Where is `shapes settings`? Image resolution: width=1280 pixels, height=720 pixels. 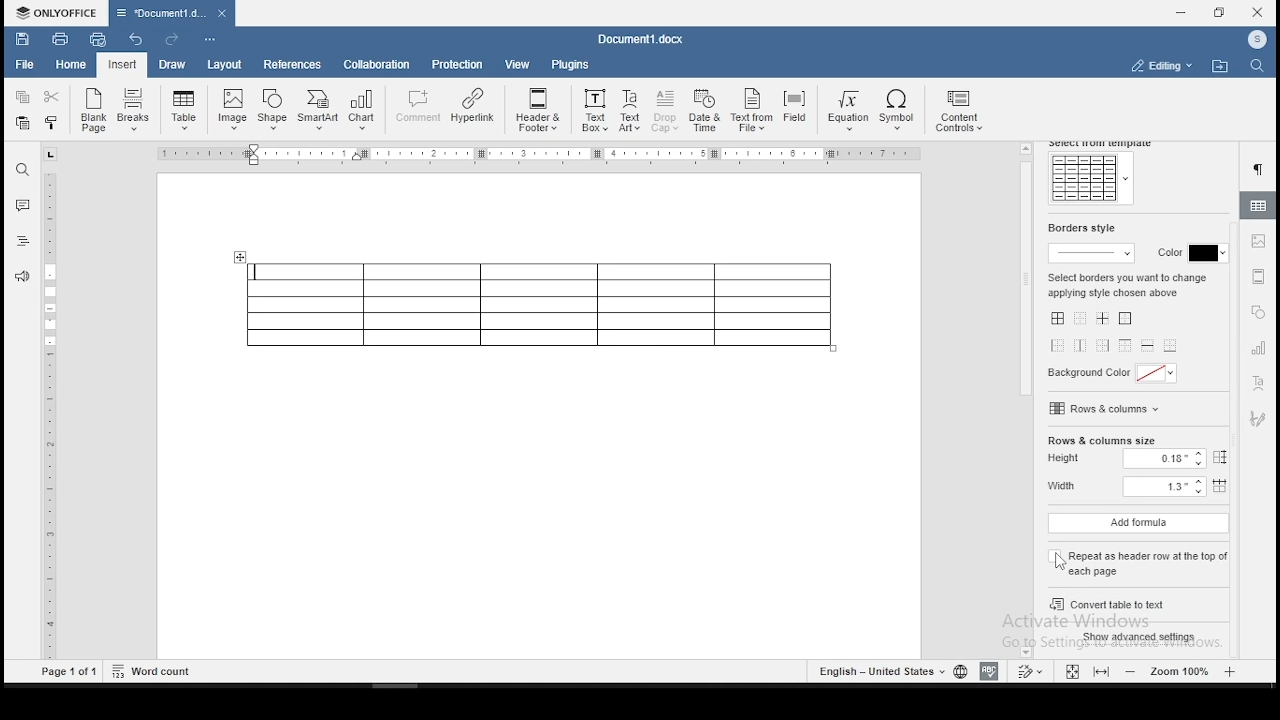 shapes settings is located at coordinates (1257, 312).